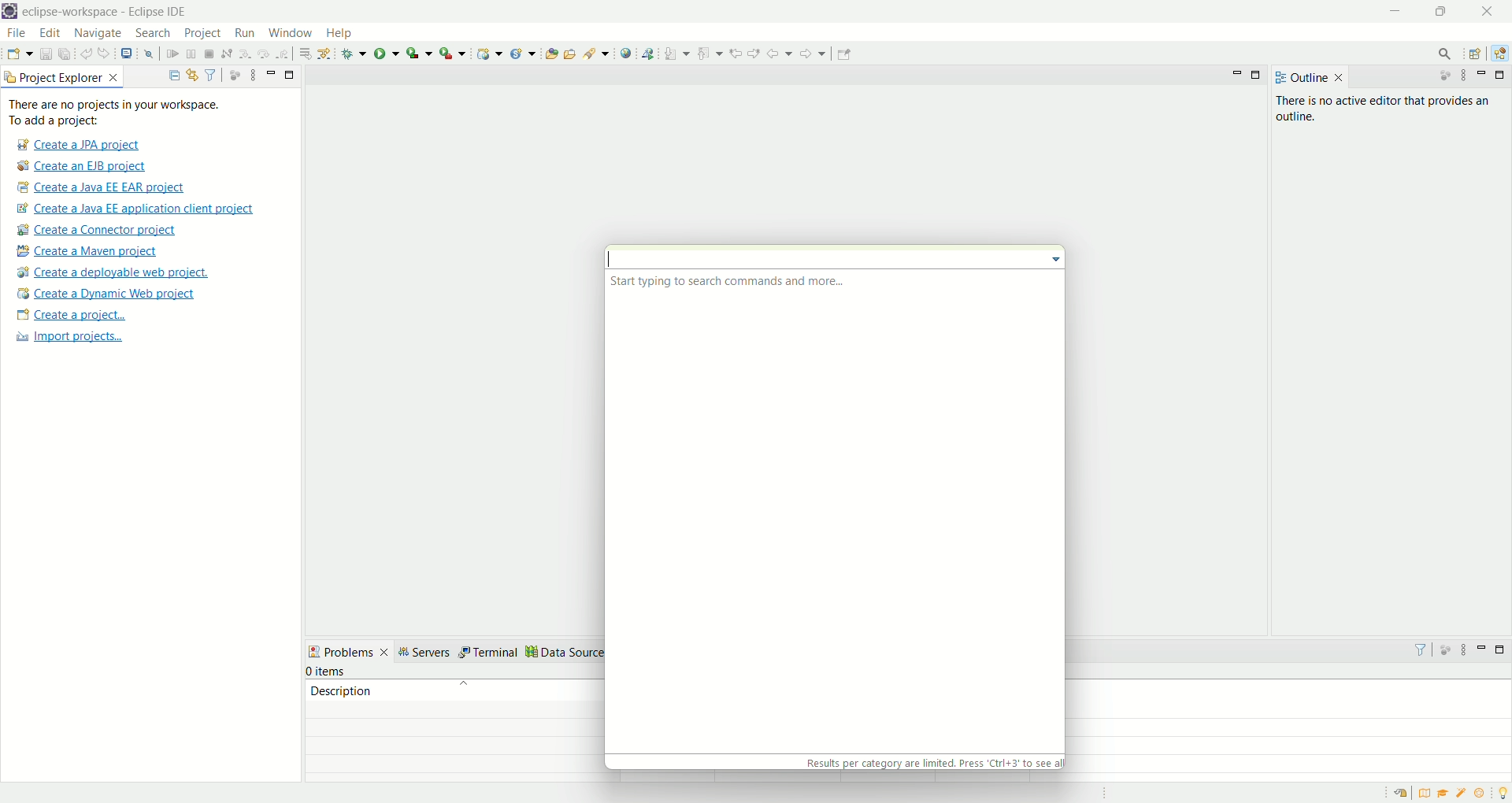 The width and height of the screenshot is (1512, 803). What do you see at coordinates (1503, 74) in the screenshot?
I see `maximize` at bounding box center [1503, 74].